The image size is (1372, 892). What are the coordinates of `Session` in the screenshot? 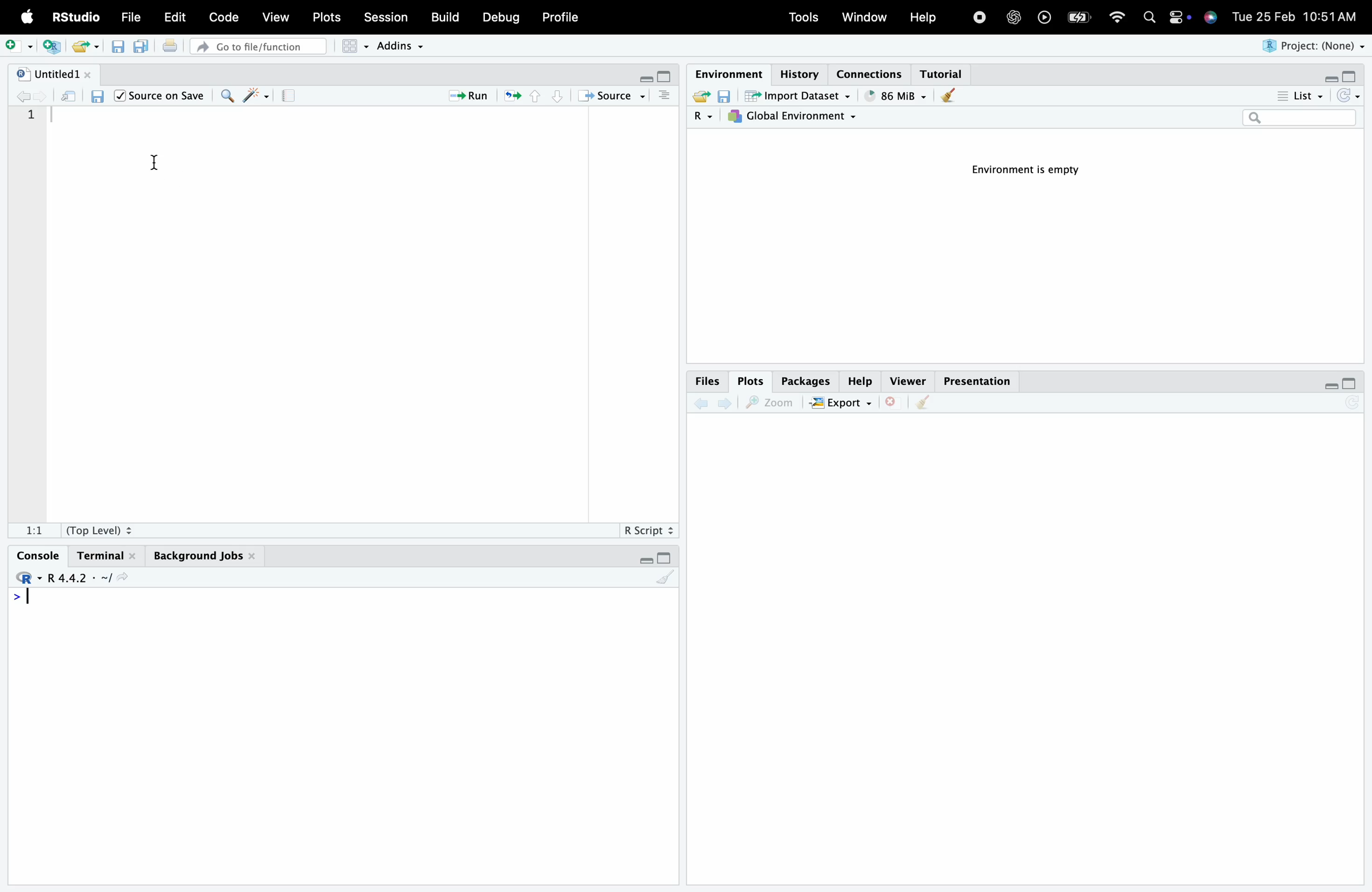 It's located at (390, 17).